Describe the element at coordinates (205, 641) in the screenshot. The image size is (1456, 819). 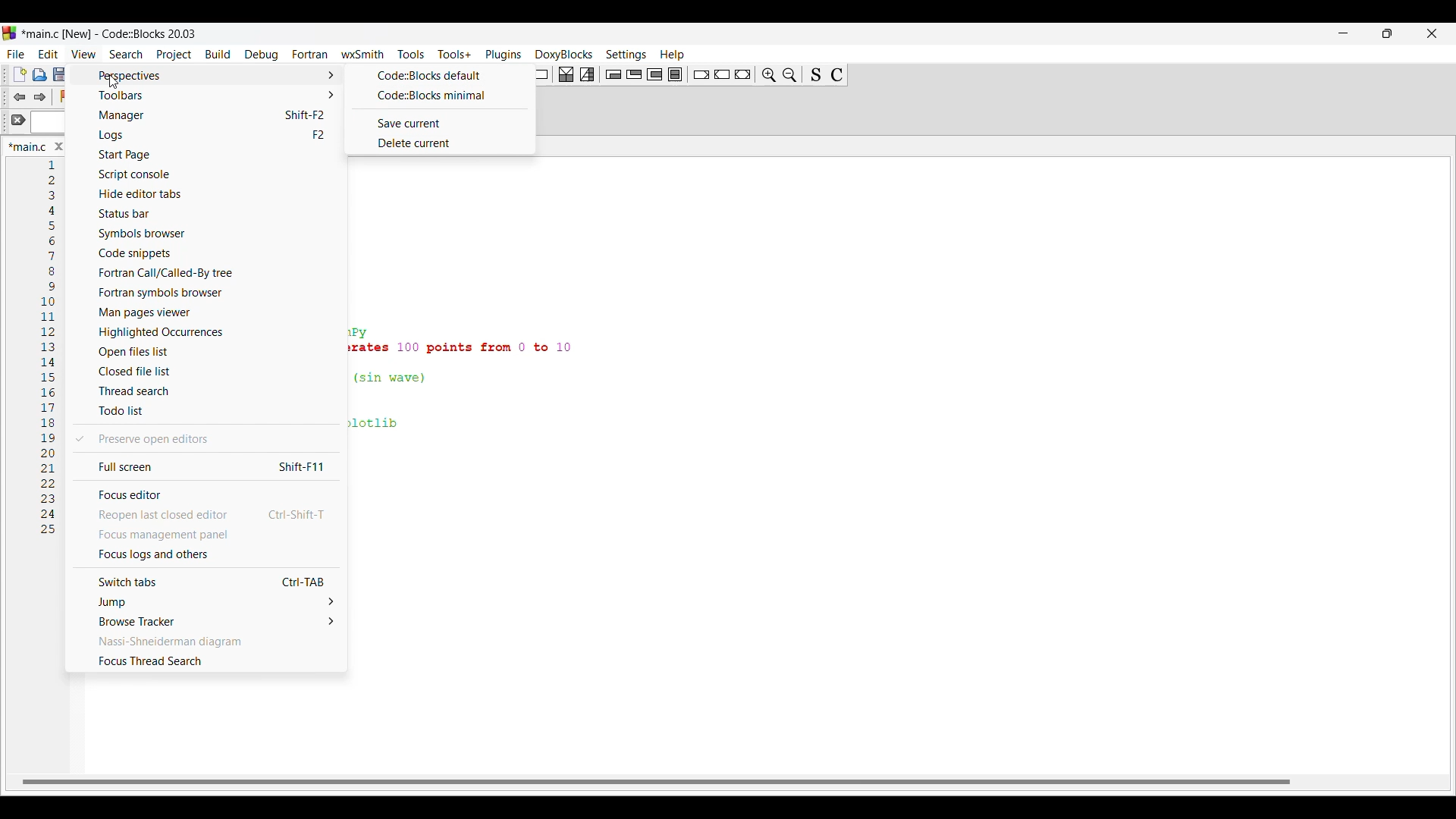
I see `Nassi-Shneiderman diagram` at that location.